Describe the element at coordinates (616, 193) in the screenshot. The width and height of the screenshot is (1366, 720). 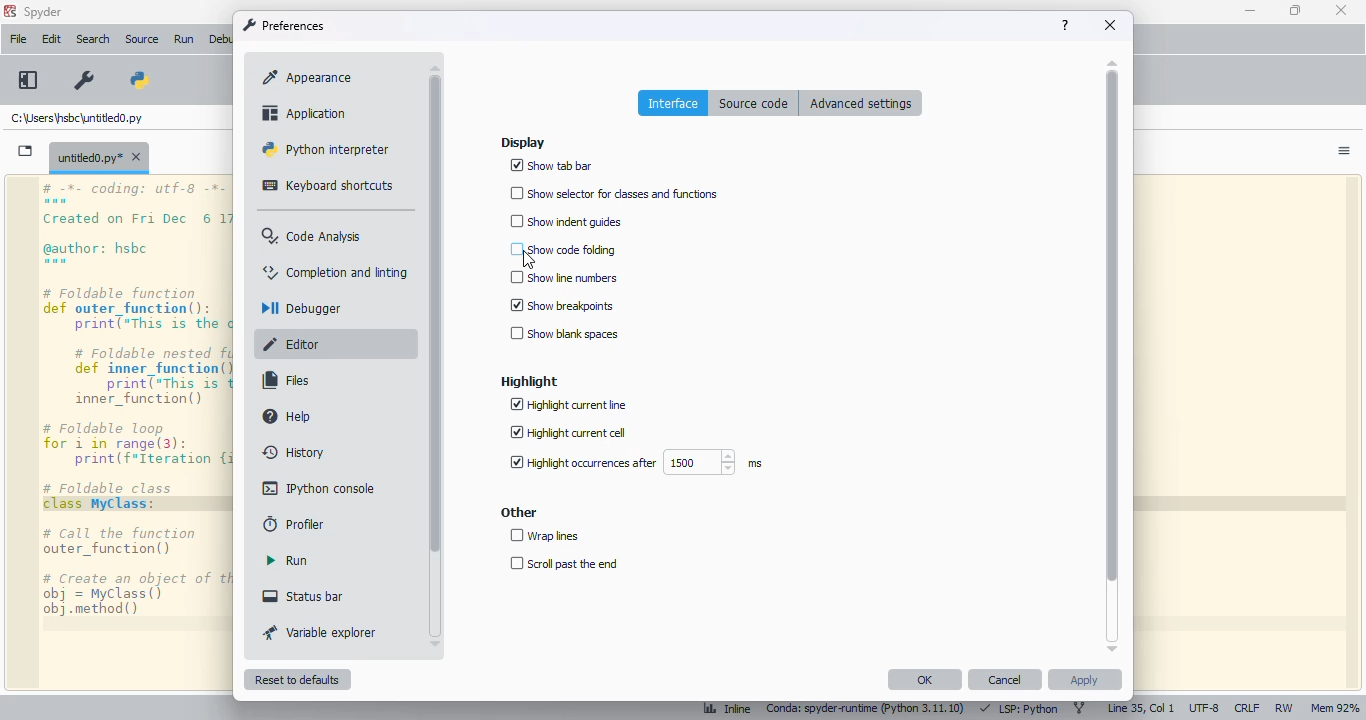
I see `show selector for classes and functions` at that location.